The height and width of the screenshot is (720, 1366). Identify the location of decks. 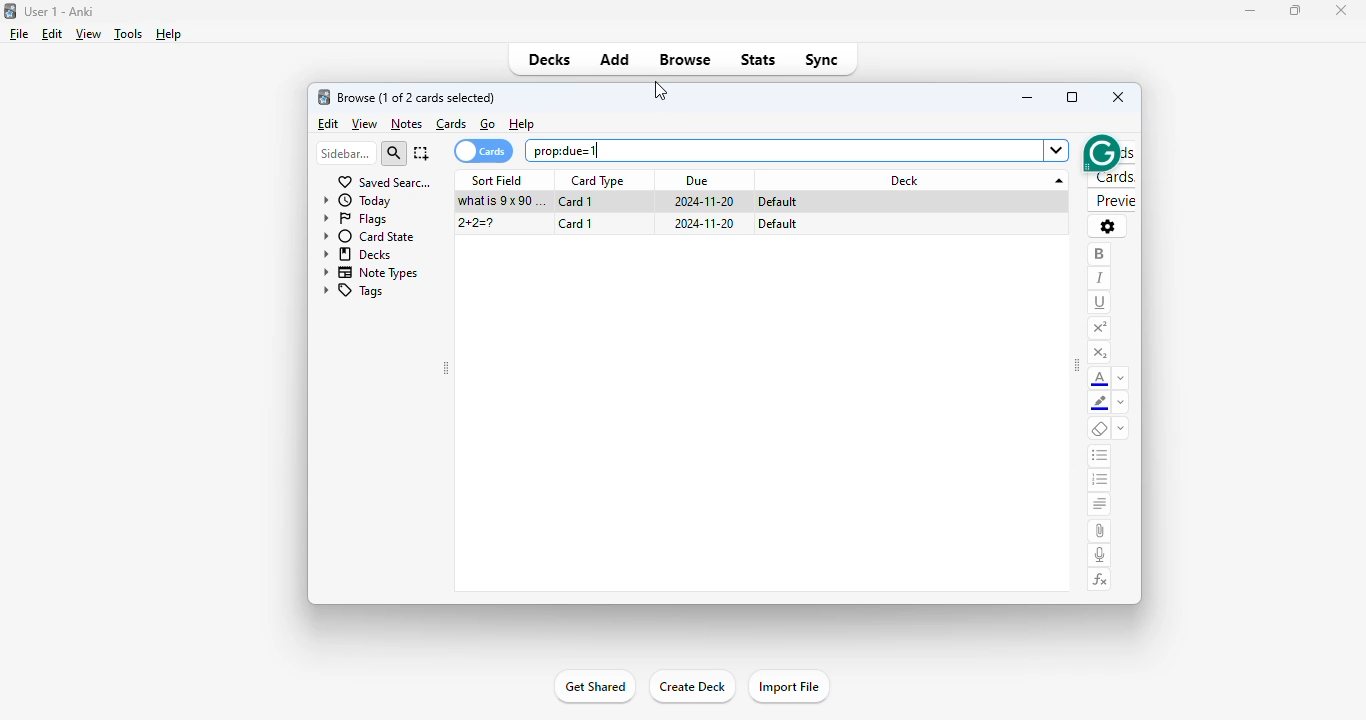
(358, 255).